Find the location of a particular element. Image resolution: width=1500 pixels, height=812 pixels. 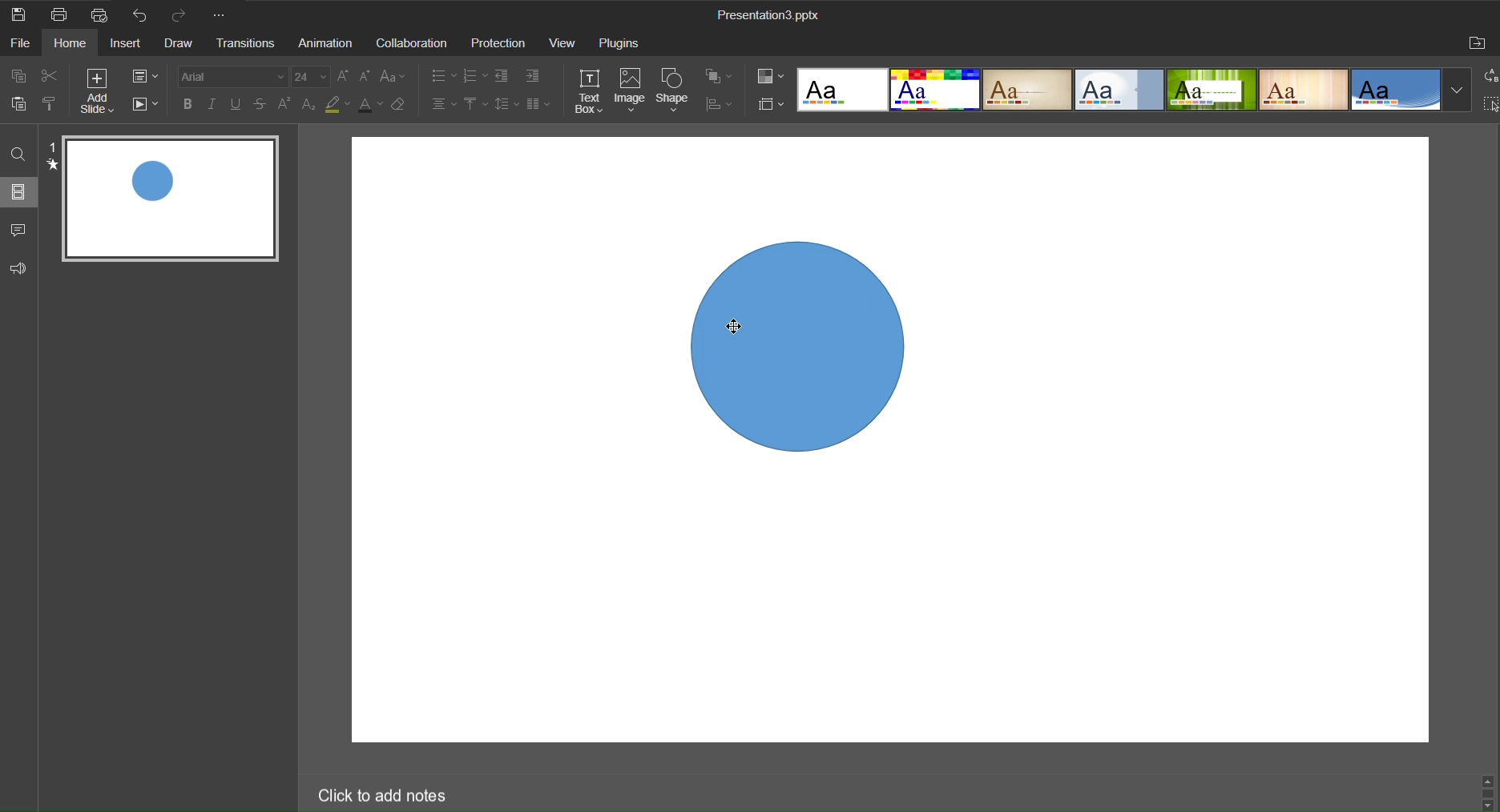

Subscript is located at coordinates (308, 106).